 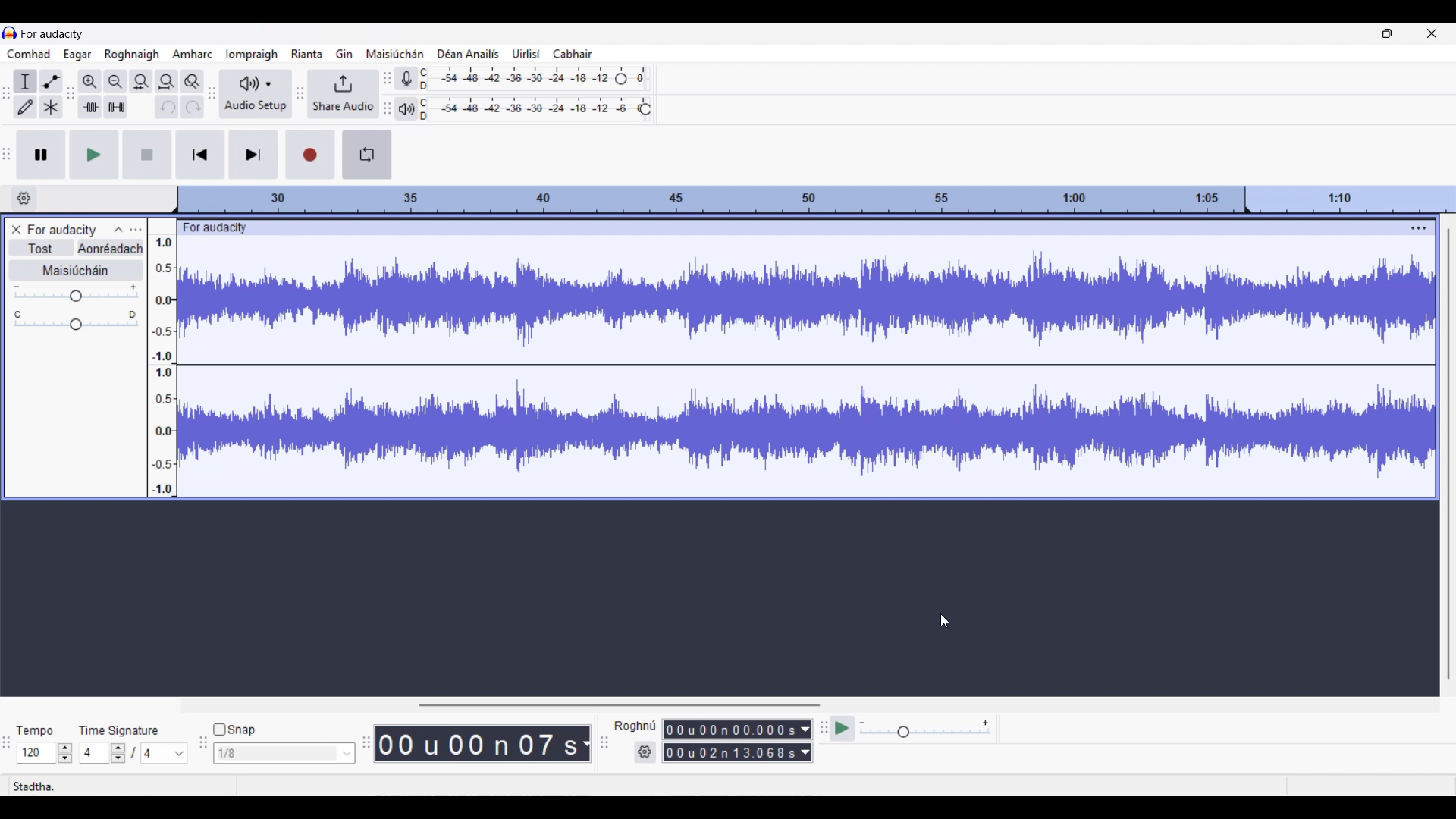 What do you see at coordinates (35, 732) in the screenshot?
I see `Indicates tempo settings` at bounding box center [35, 732].